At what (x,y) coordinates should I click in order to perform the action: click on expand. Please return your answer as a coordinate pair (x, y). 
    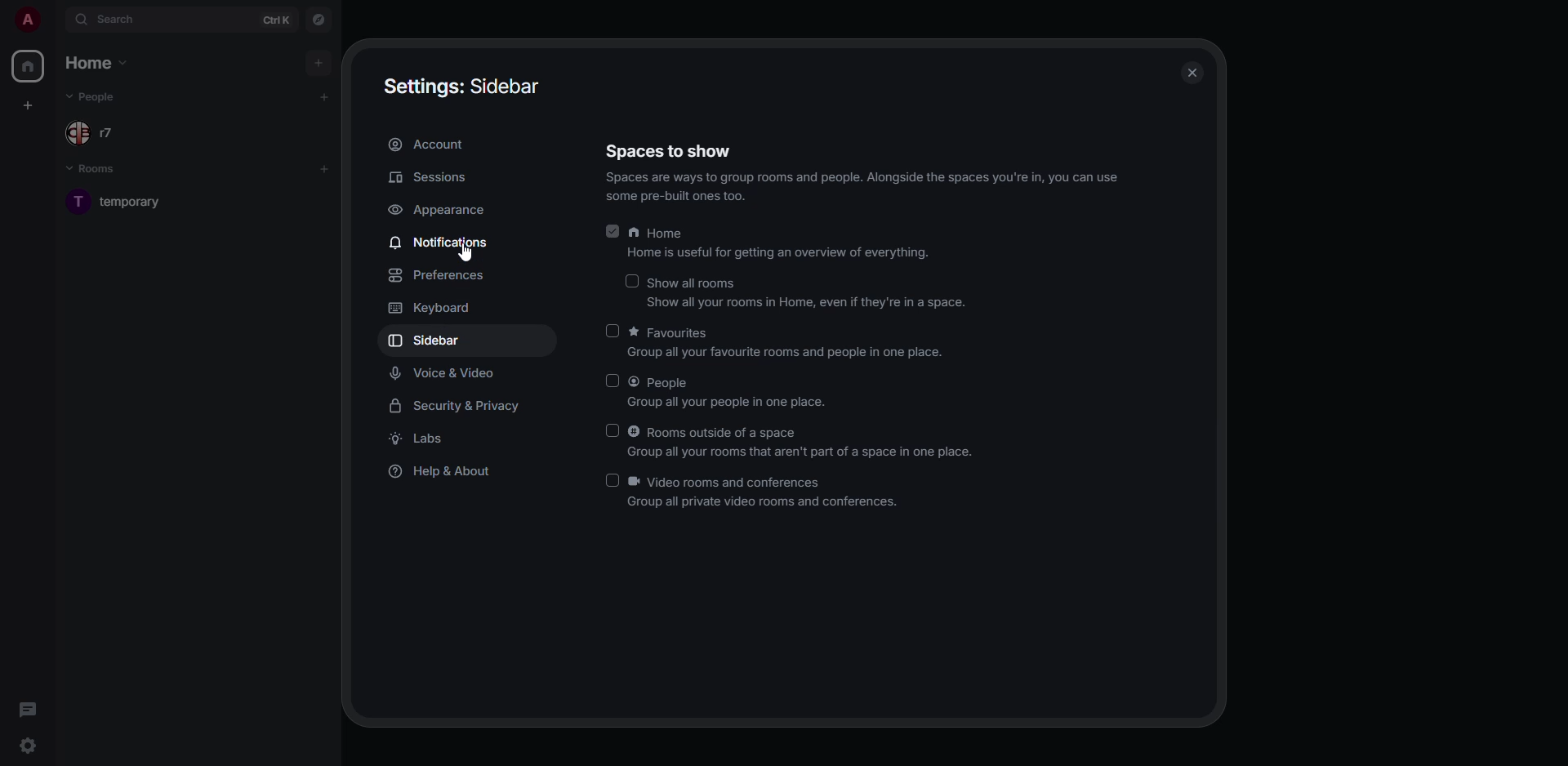
    Looking at the image, I should click on (56, 20).